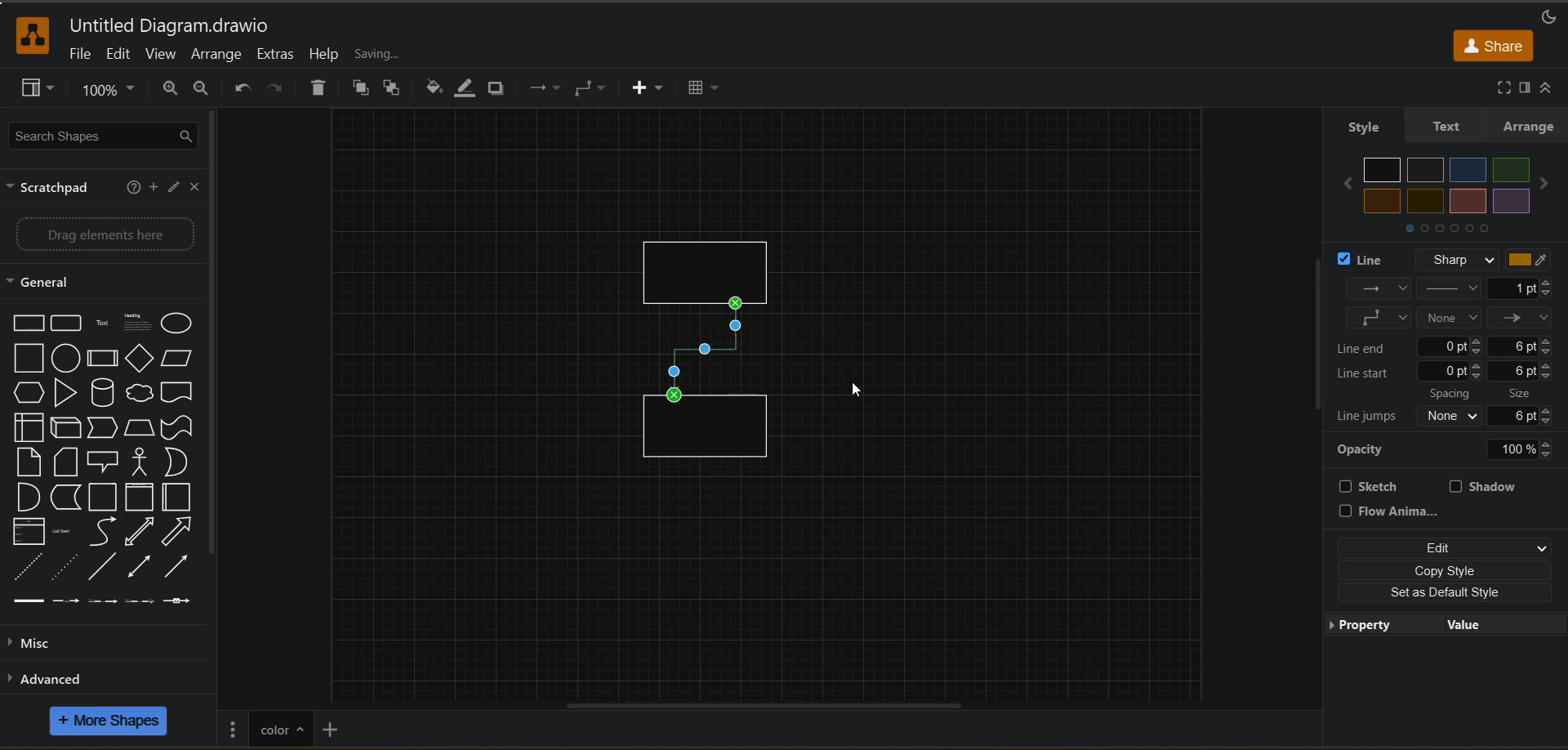 Image resolution: width=1568 pixels, height=750 pixels. I want to click on arrange, so click(216, 56).